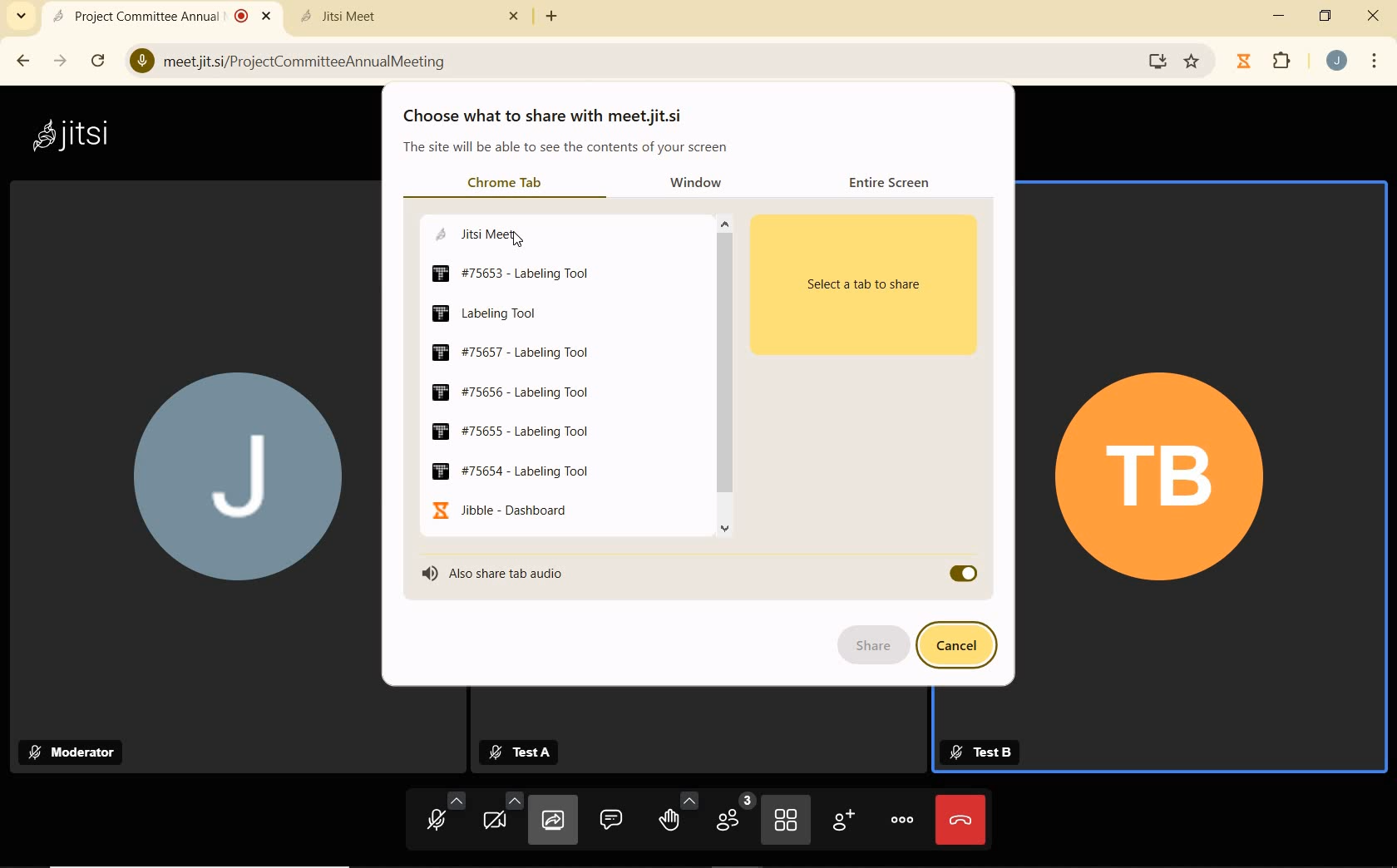 Image resolution: width=1397 pixels, height=868 pixels. Describe the element at coordinates (512, 274) in the screenshot. I see `#75653 - Labeling Tool` at that location.